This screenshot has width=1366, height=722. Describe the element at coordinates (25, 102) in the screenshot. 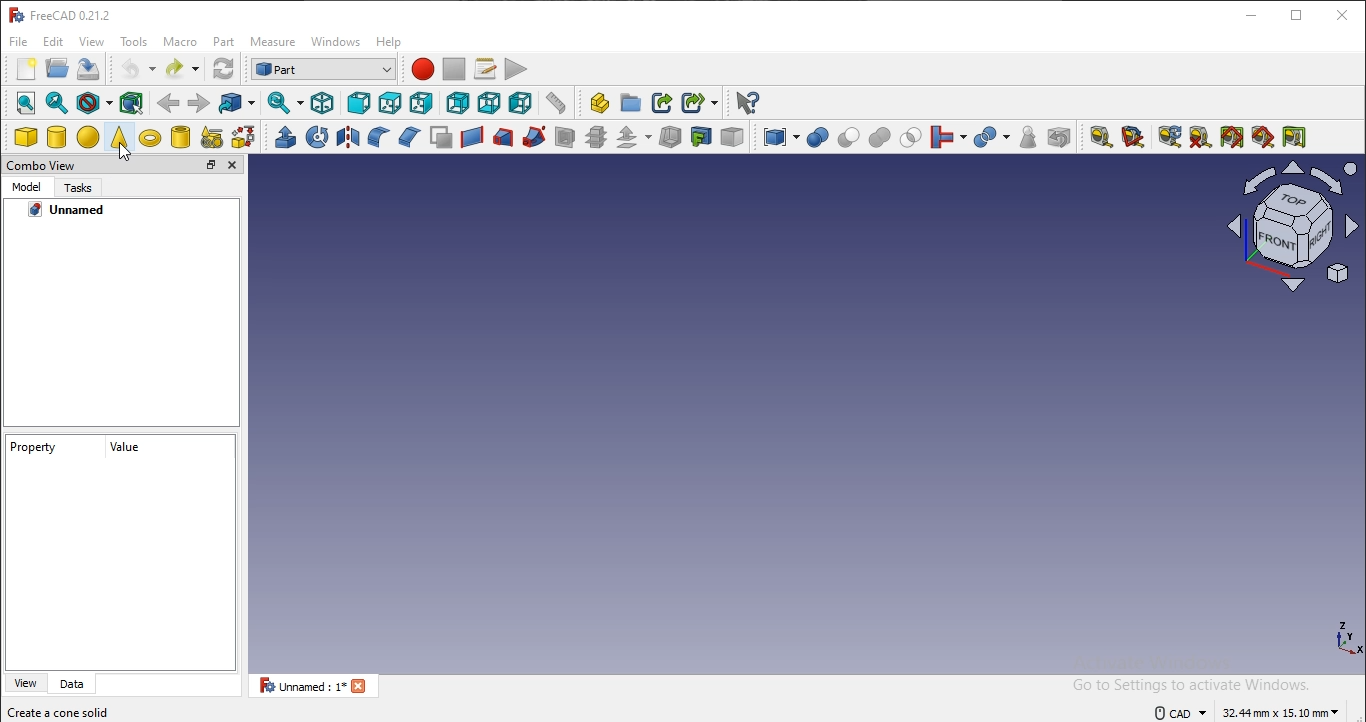

I see `fit all ` at that location.